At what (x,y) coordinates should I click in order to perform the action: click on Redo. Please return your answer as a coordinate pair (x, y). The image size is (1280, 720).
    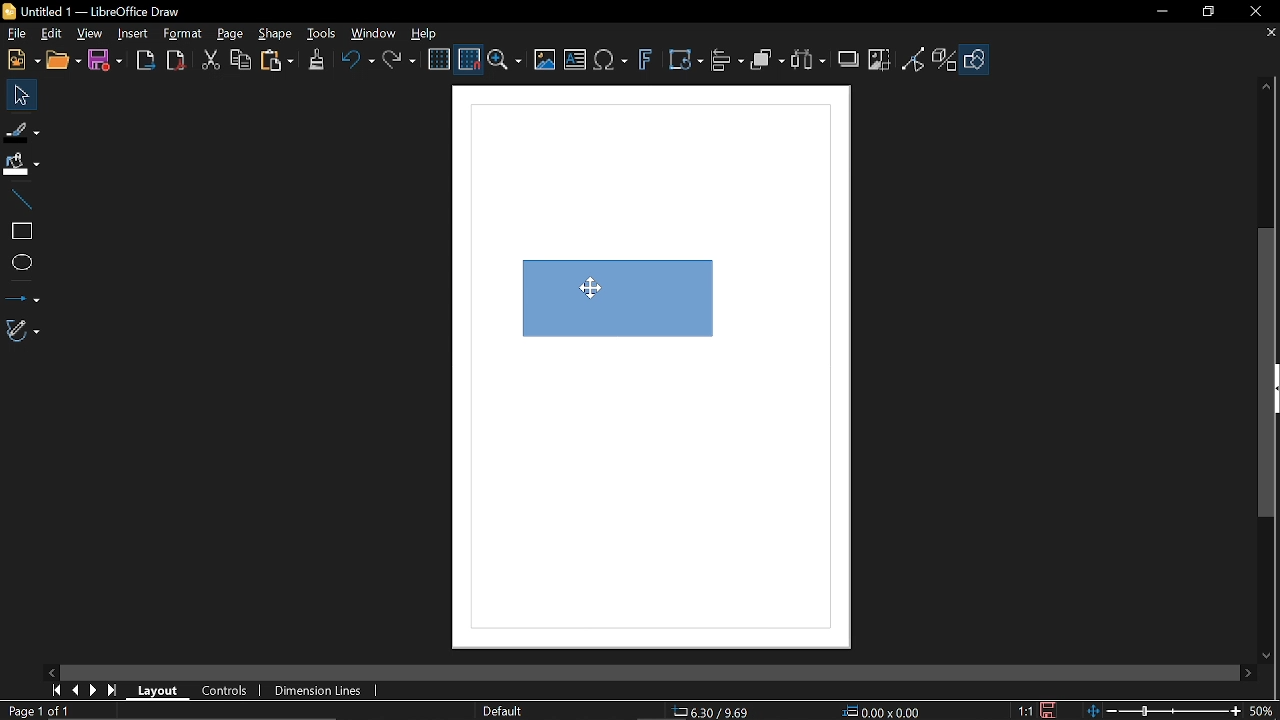
    Looking at the image, I should click on (398, 62).